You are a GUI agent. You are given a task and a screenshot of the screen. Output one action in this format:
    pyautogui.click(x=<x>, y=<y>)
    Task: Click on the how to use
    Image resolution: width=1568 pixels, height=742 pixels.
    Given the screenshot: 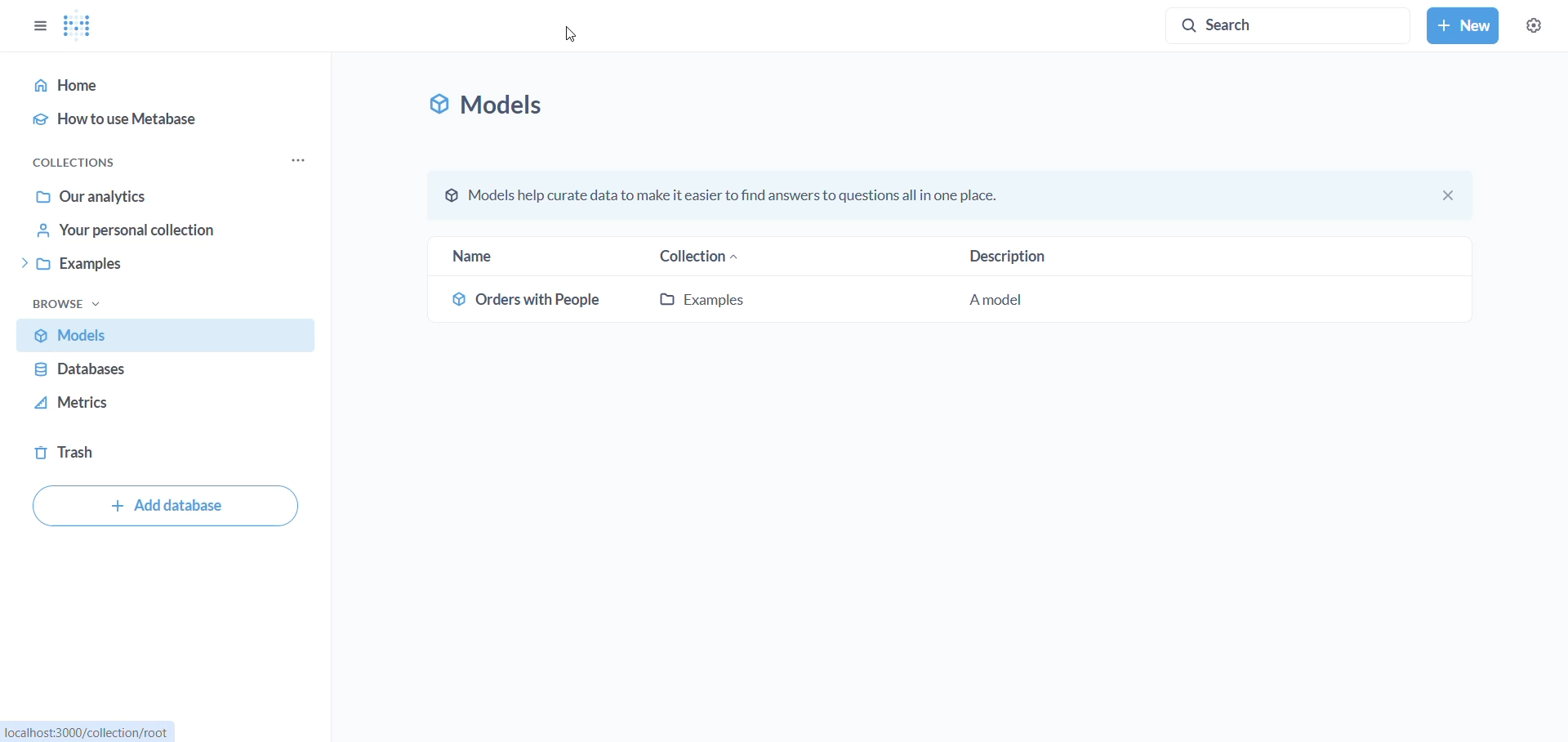 What is the action you would take?
    pyautogui.click(x=163, y=120)
    